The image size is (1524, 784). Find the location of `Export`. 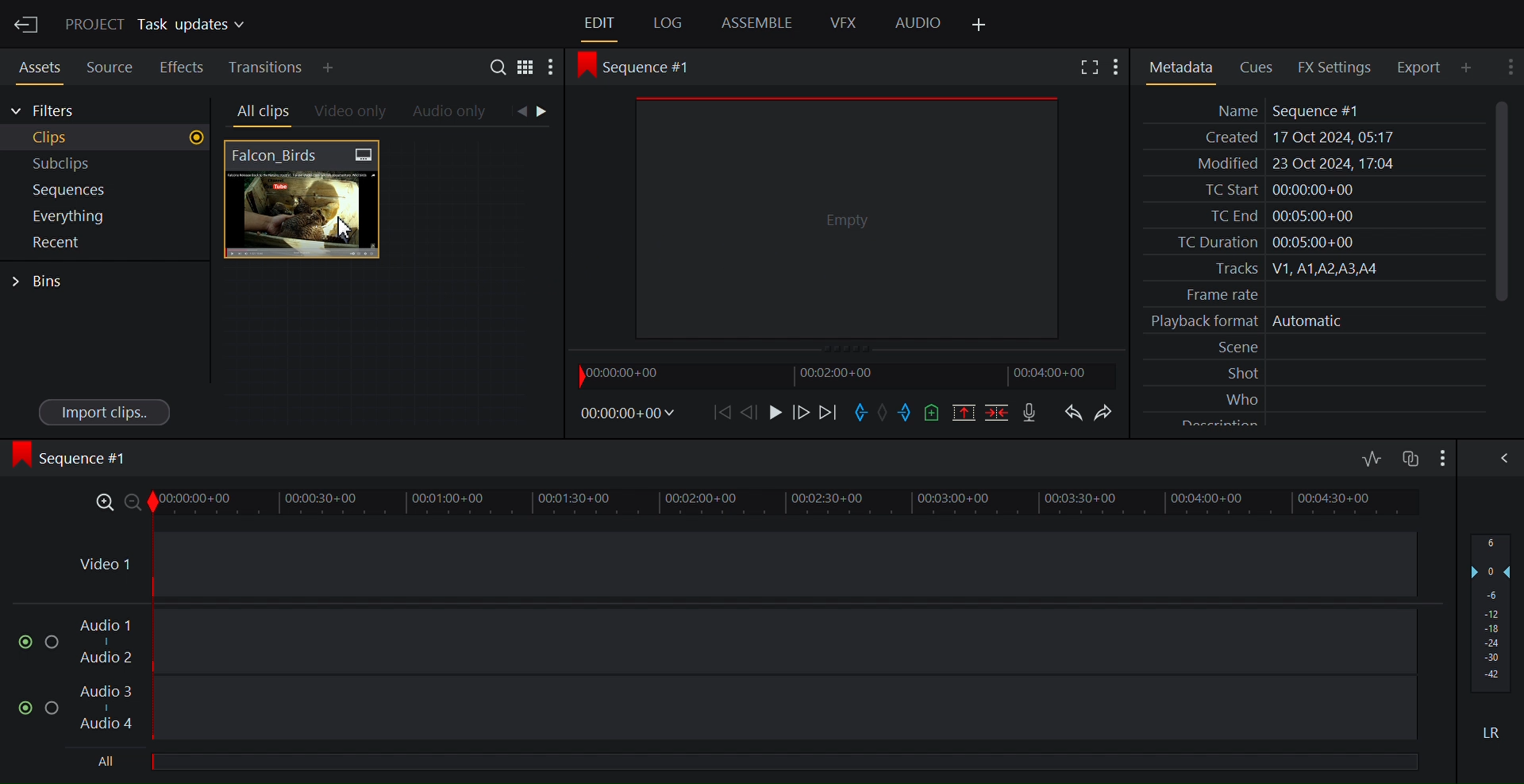

Export is located at coordinates (1425, 67).